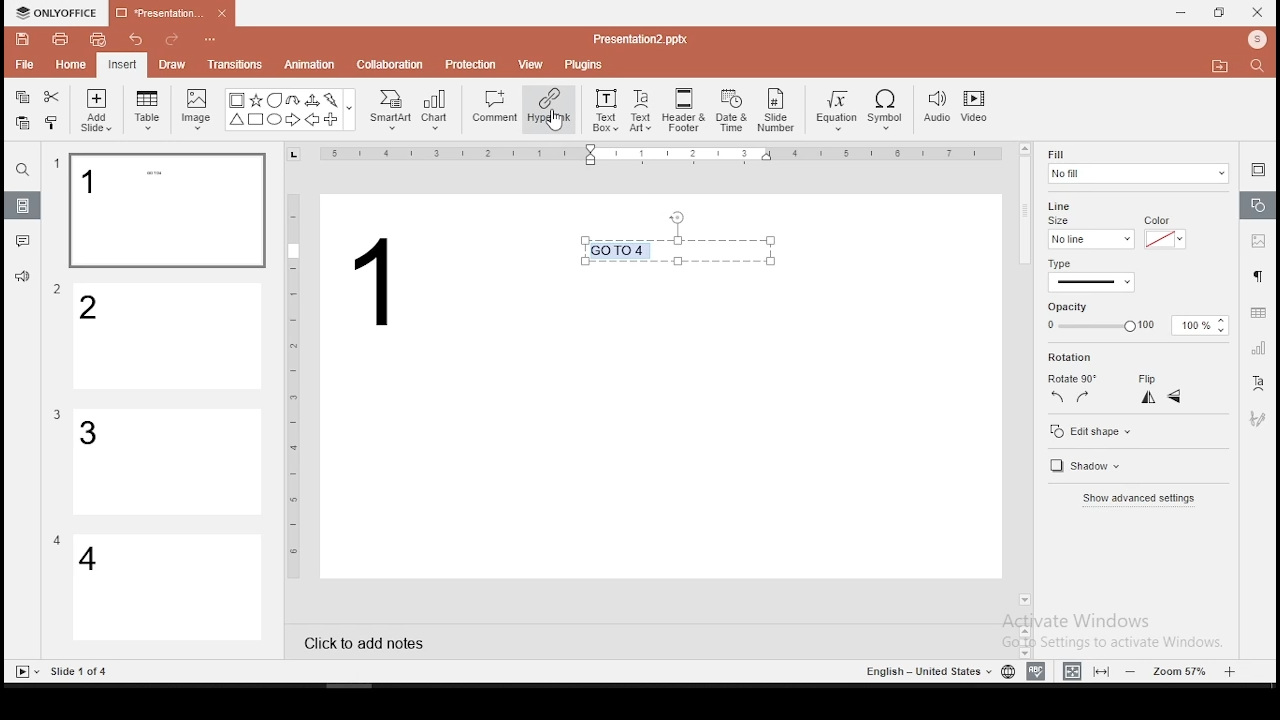  What do you see at coordinates (274, 100) in the screenshot?
I see `Bubble` at bounding box center [274, 100].